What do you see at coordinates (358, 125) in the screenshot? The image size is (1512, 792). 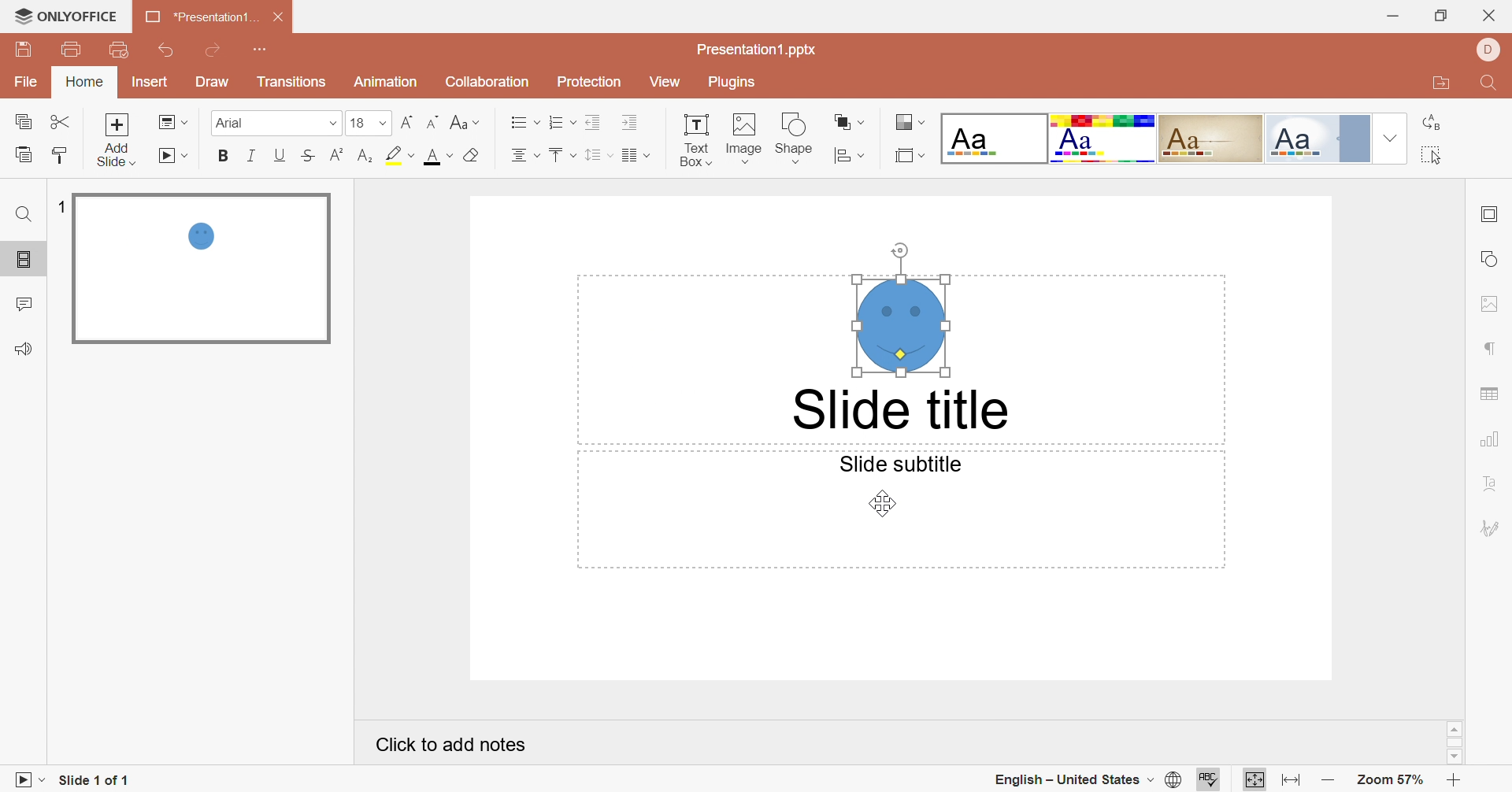 I see `font size 18` at bounding box center [358, 125].